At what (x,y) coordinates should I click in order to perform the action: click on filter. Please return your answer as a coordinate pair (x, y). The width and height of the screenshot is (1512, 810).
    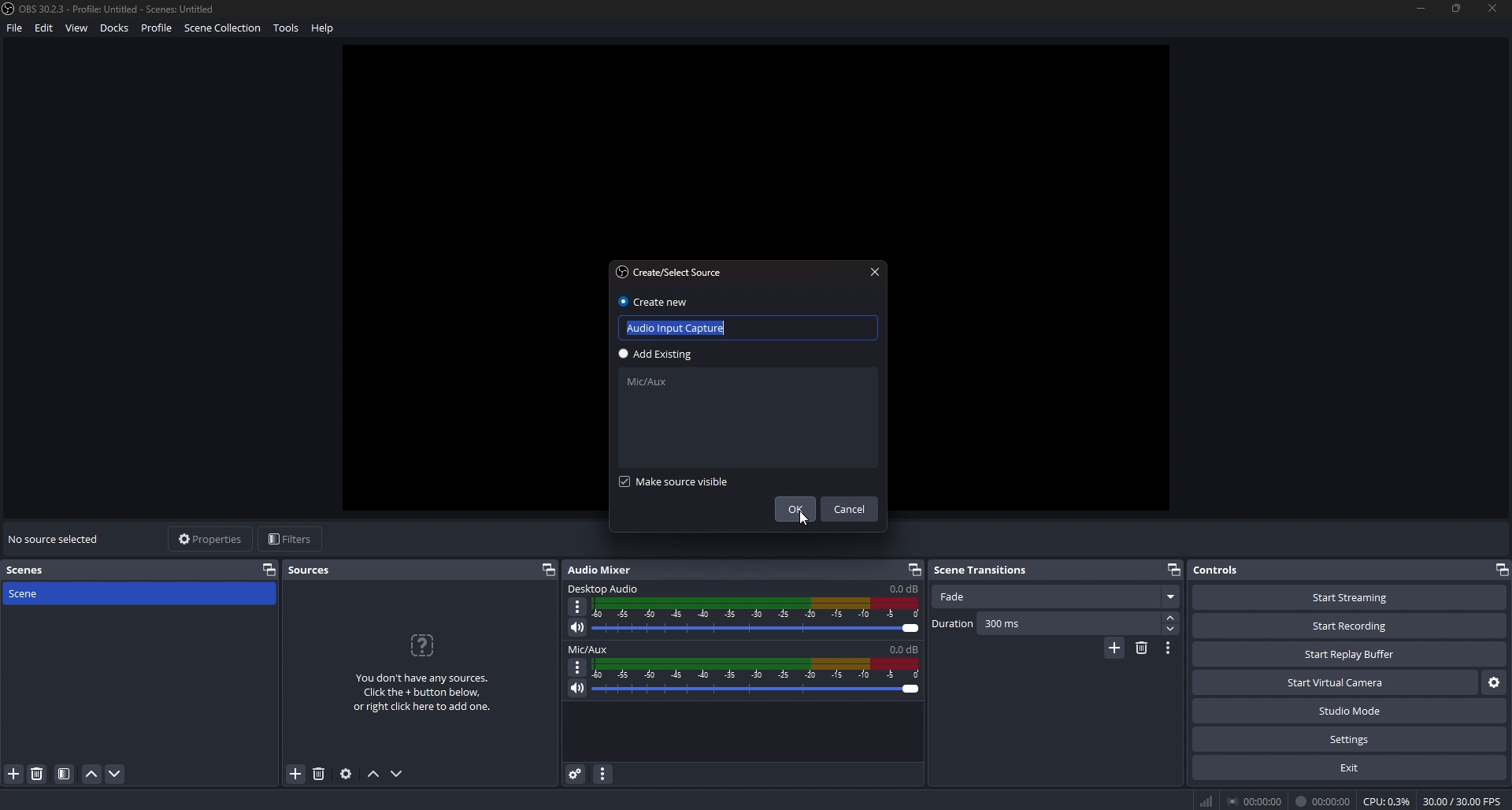
    Looking at the image, I should click on (65, 775).